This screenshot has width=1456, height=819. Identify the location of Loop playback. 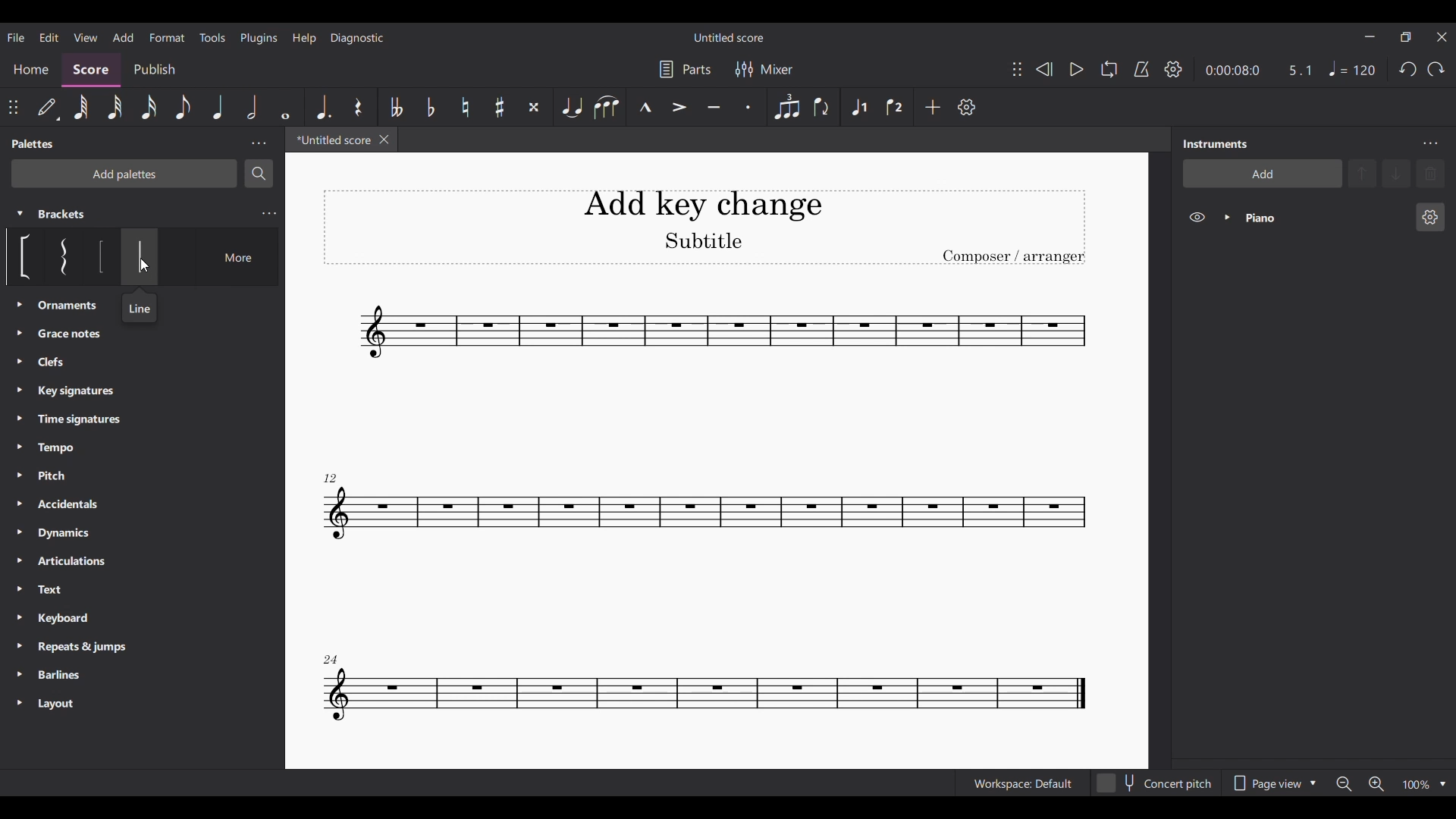
(1109, 68).